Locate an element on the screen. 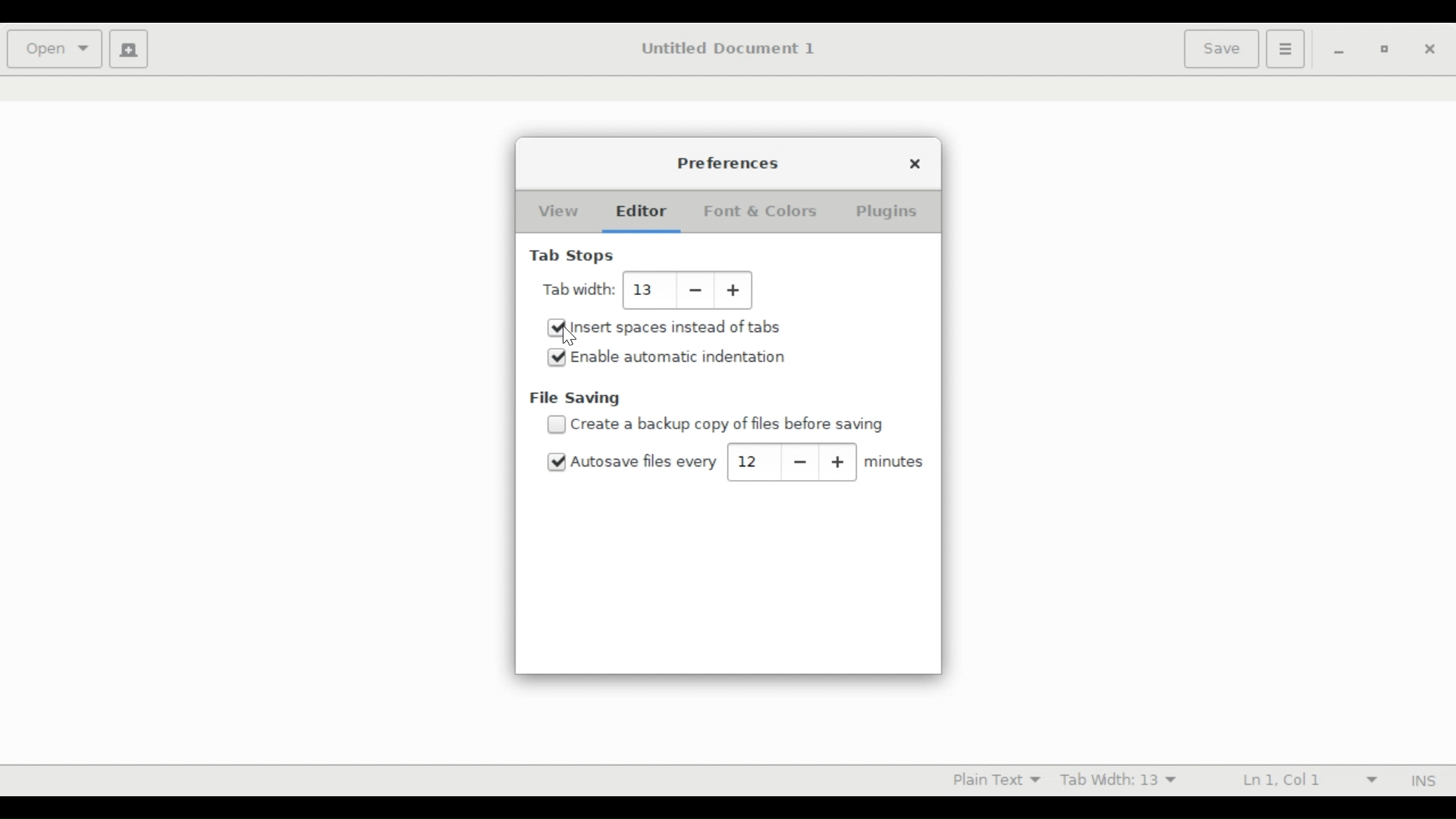 This screenshot has height=819, width=1456. close is located at coordinates (1428, 48).